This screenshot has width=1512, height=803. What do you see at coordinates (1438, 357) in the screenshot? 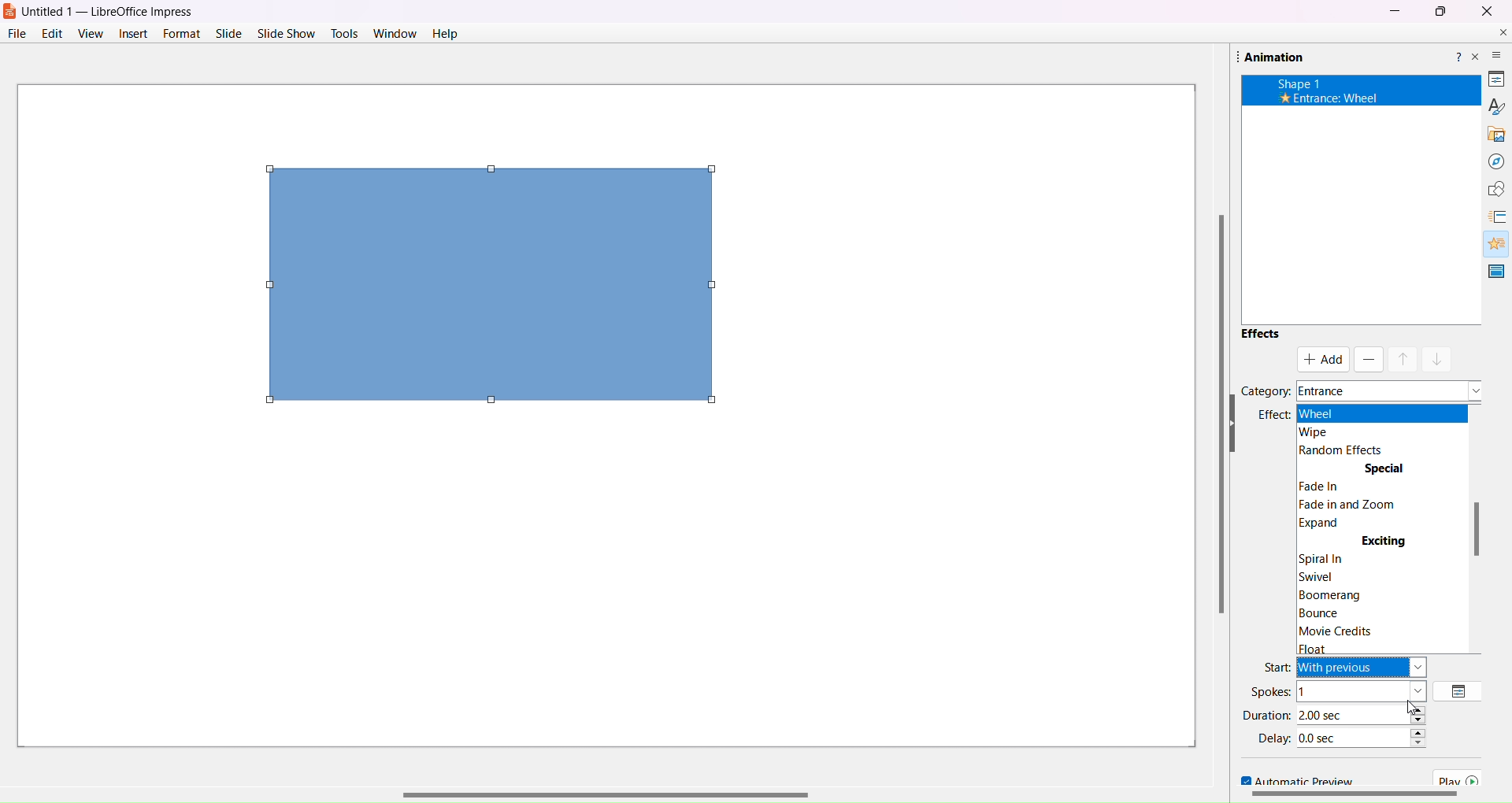
I see `move down` at bounding box center [1438, 357].